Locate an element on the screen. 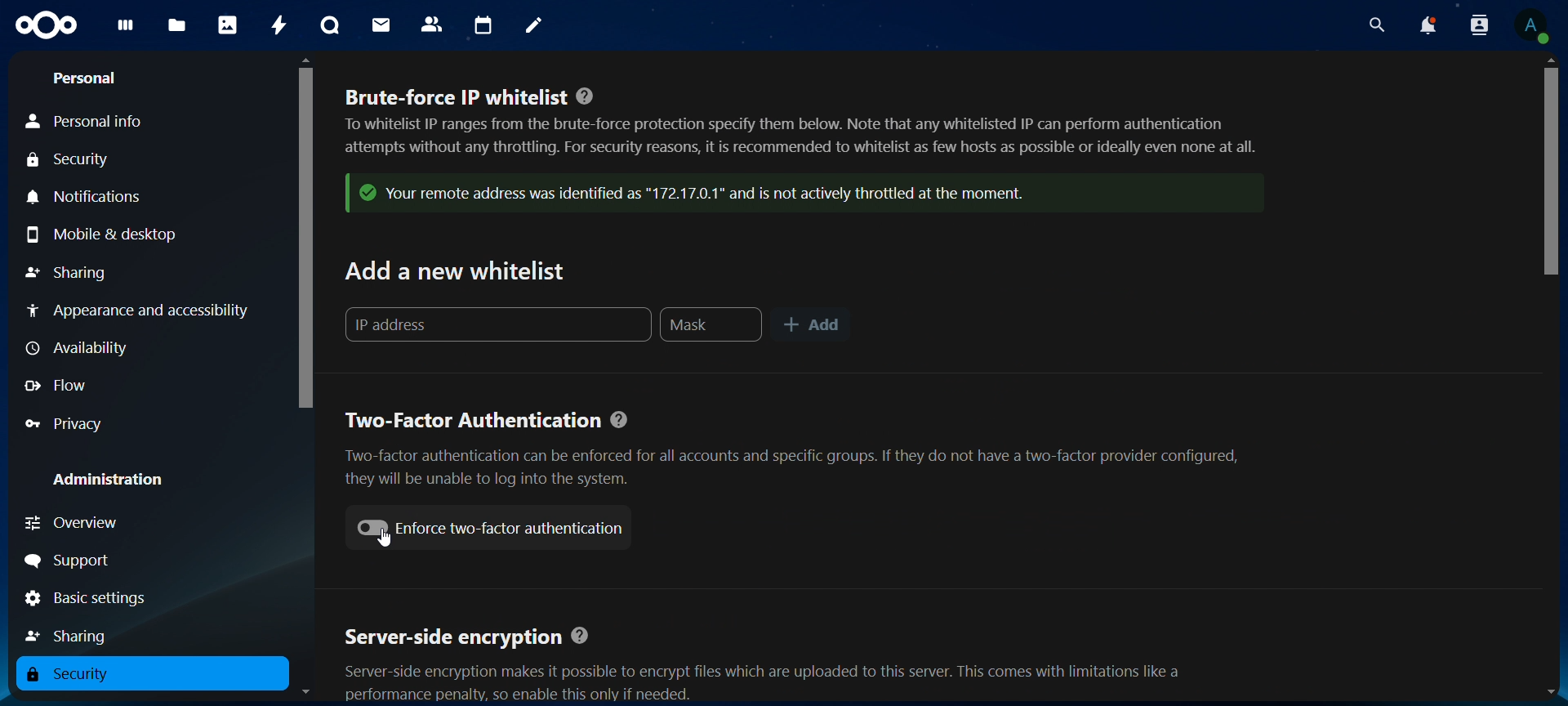 This screenshot has height=706, width=1568. brute-force IP whitelist is located at coordinates (798, 130).